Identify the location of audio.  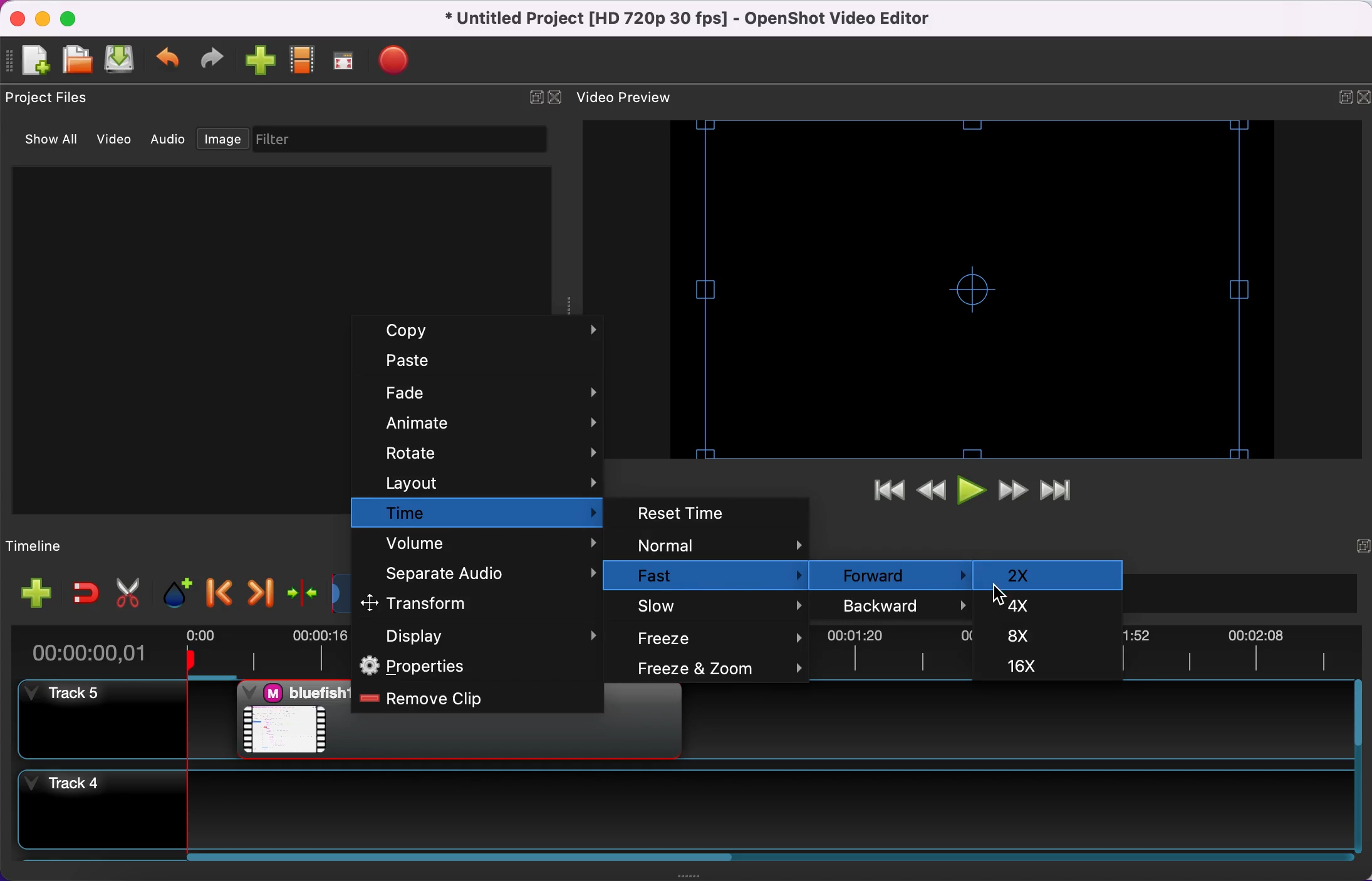
(169, 142).